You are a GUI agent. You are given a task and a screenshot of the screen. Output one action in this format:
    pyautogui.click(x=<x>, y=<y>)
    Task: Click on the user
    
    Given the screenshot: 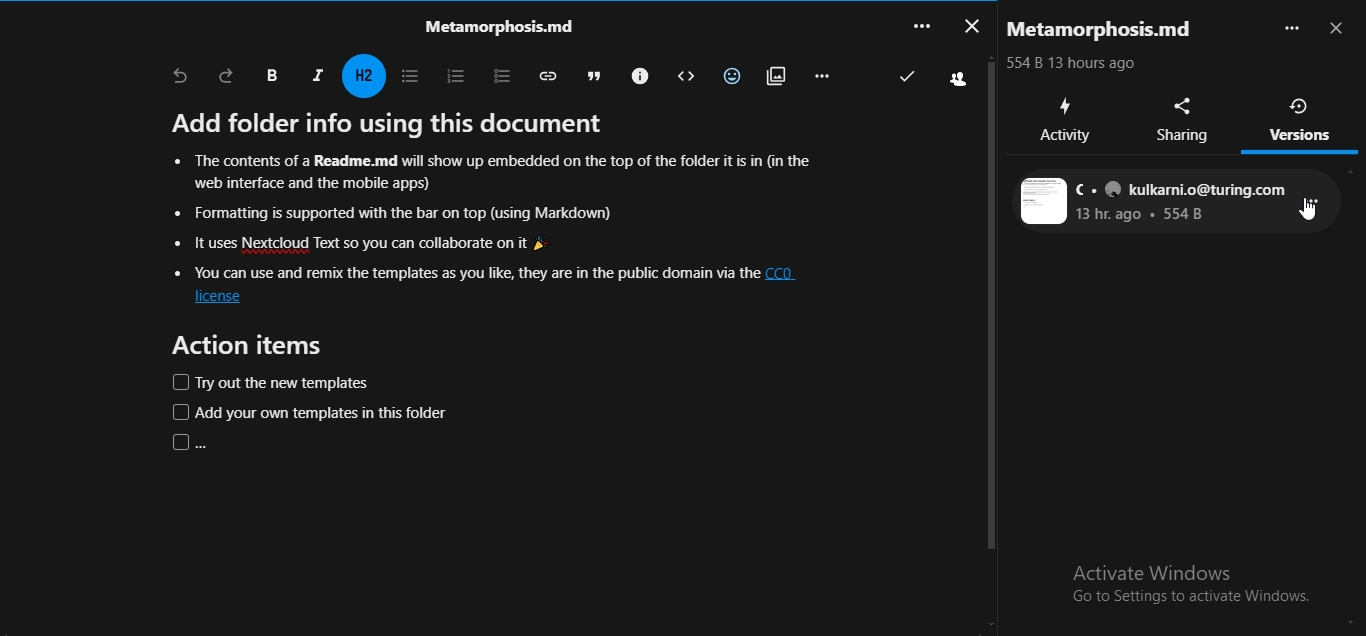 What is the action you would take?
    pyautogui.click(x=962, y=80)
    